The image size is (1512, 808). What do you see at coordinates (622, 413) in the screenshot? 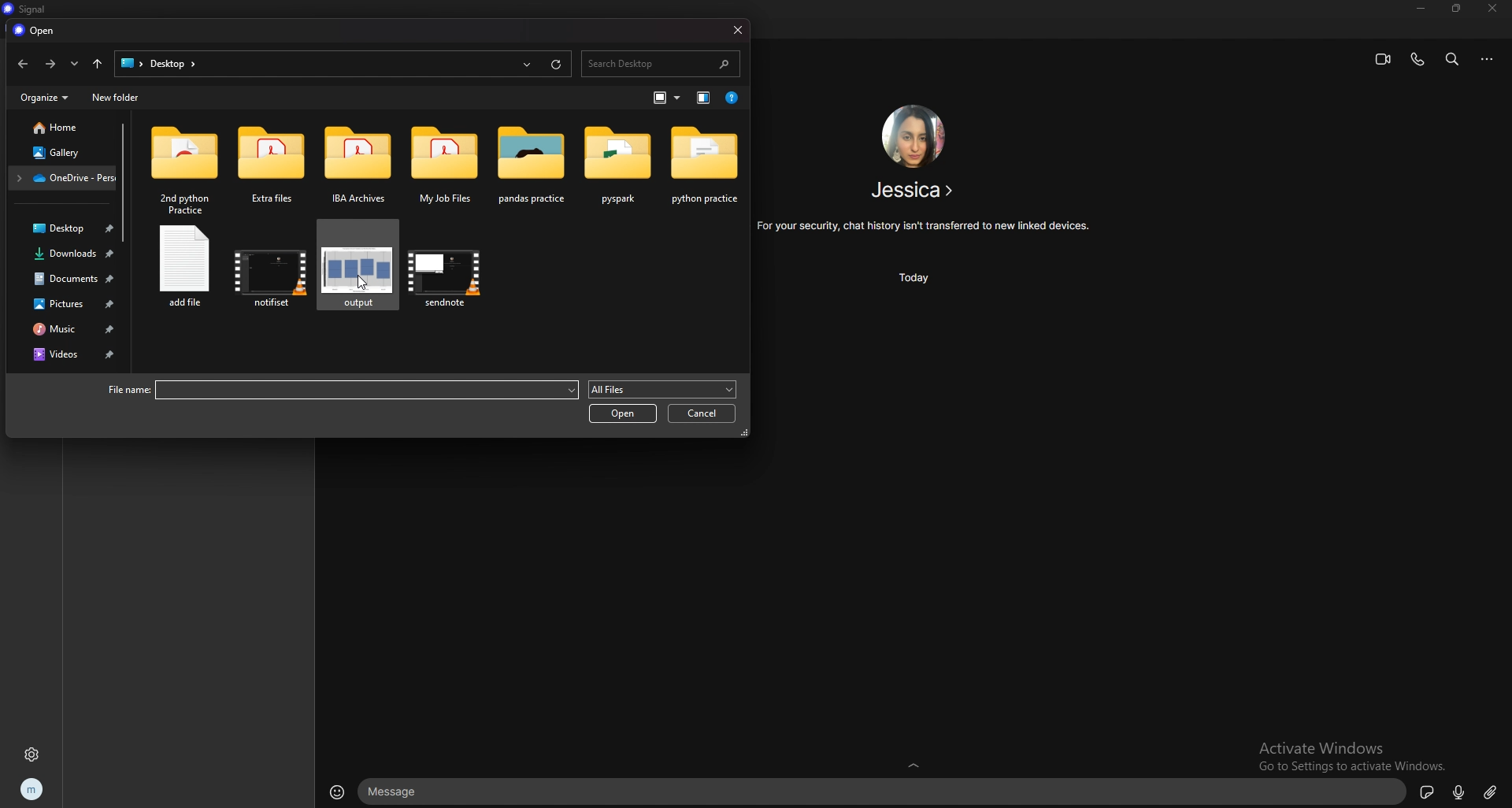
I see `open` at bounding box center [622, 413].